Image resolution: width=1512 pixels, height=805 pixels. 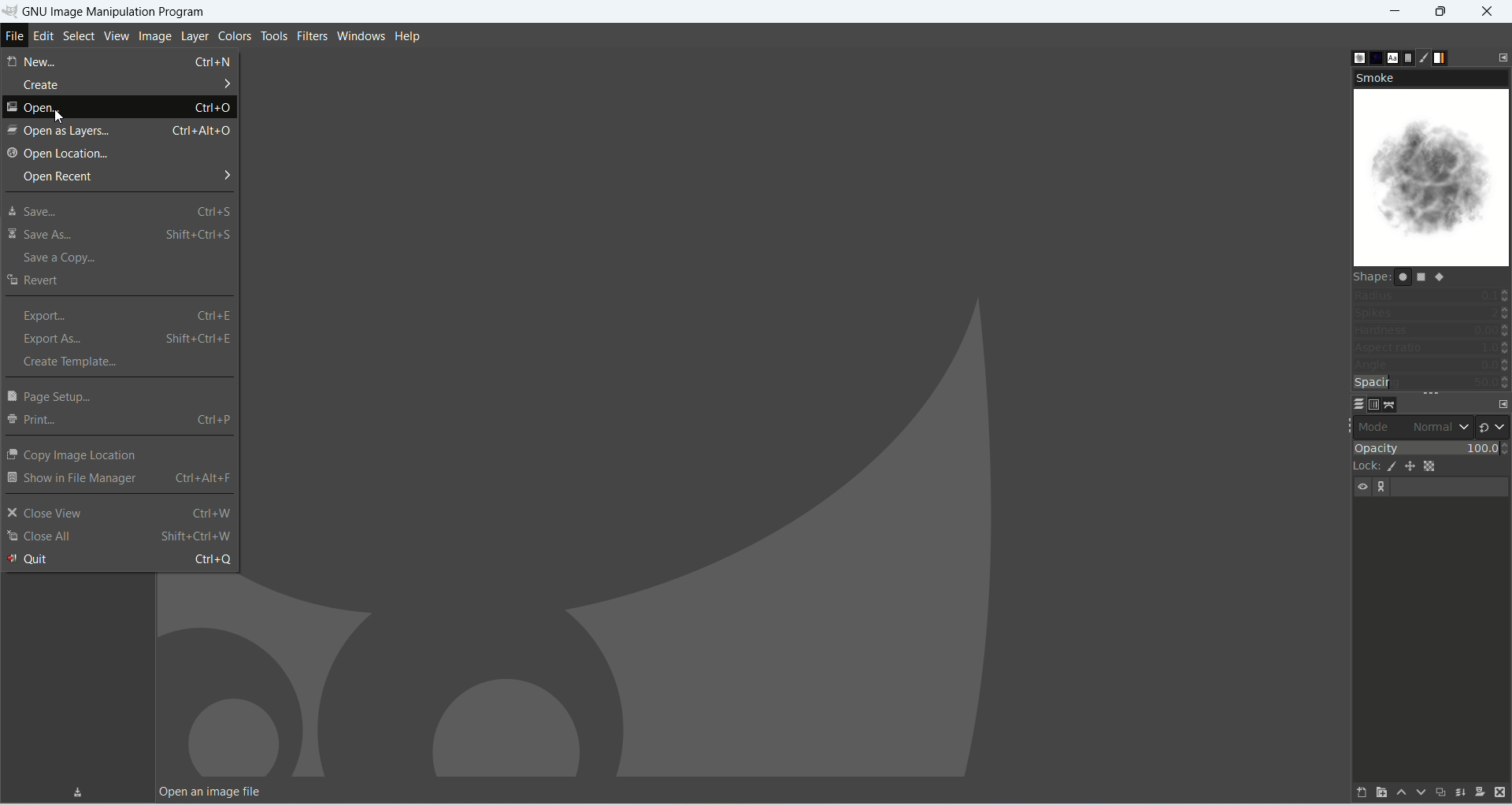 I want to click on brush editor, so click(x=1425, y=56).